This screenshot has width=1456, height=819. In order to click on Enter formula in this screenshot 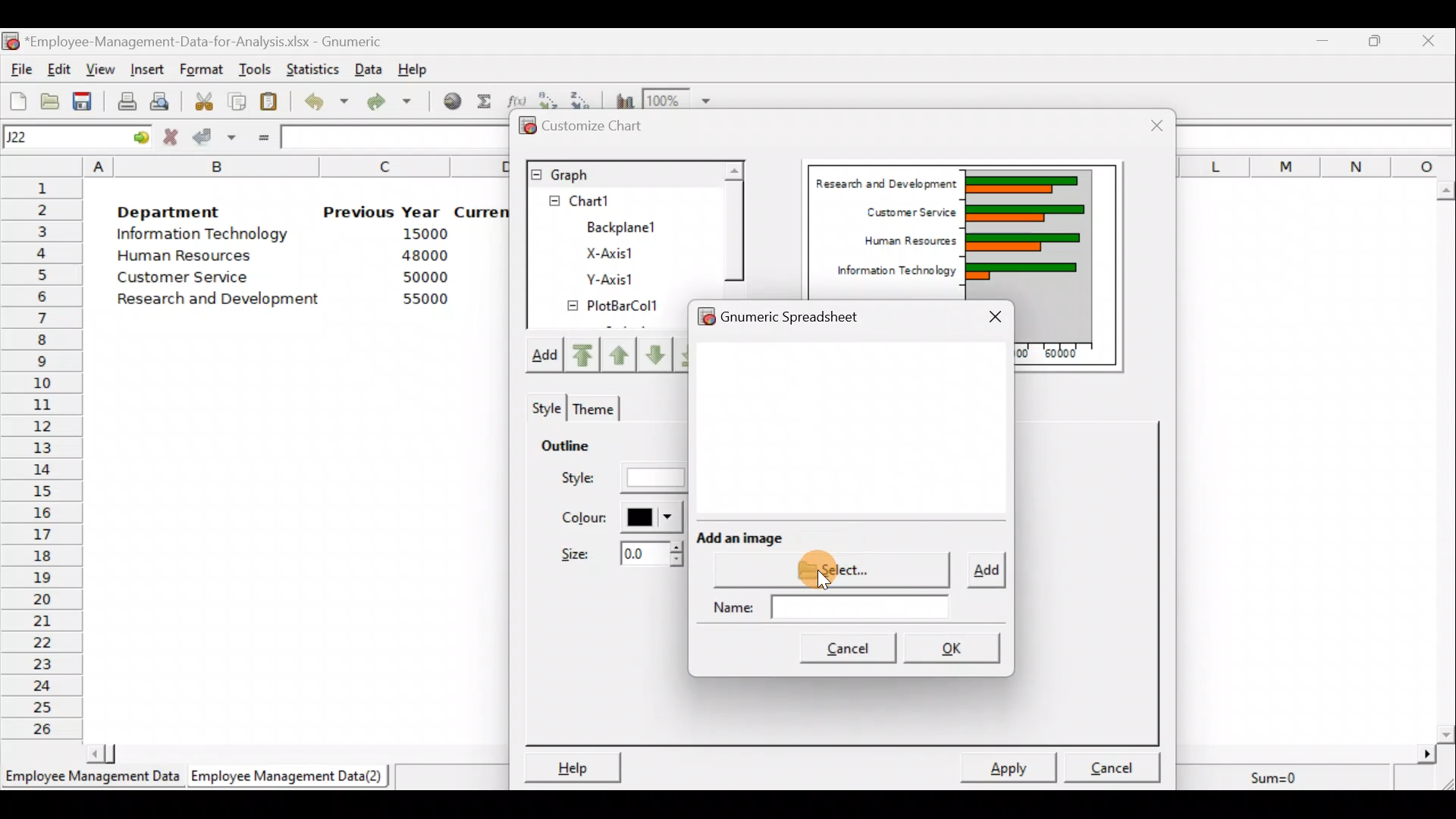, I will do `click(261, 138)`.